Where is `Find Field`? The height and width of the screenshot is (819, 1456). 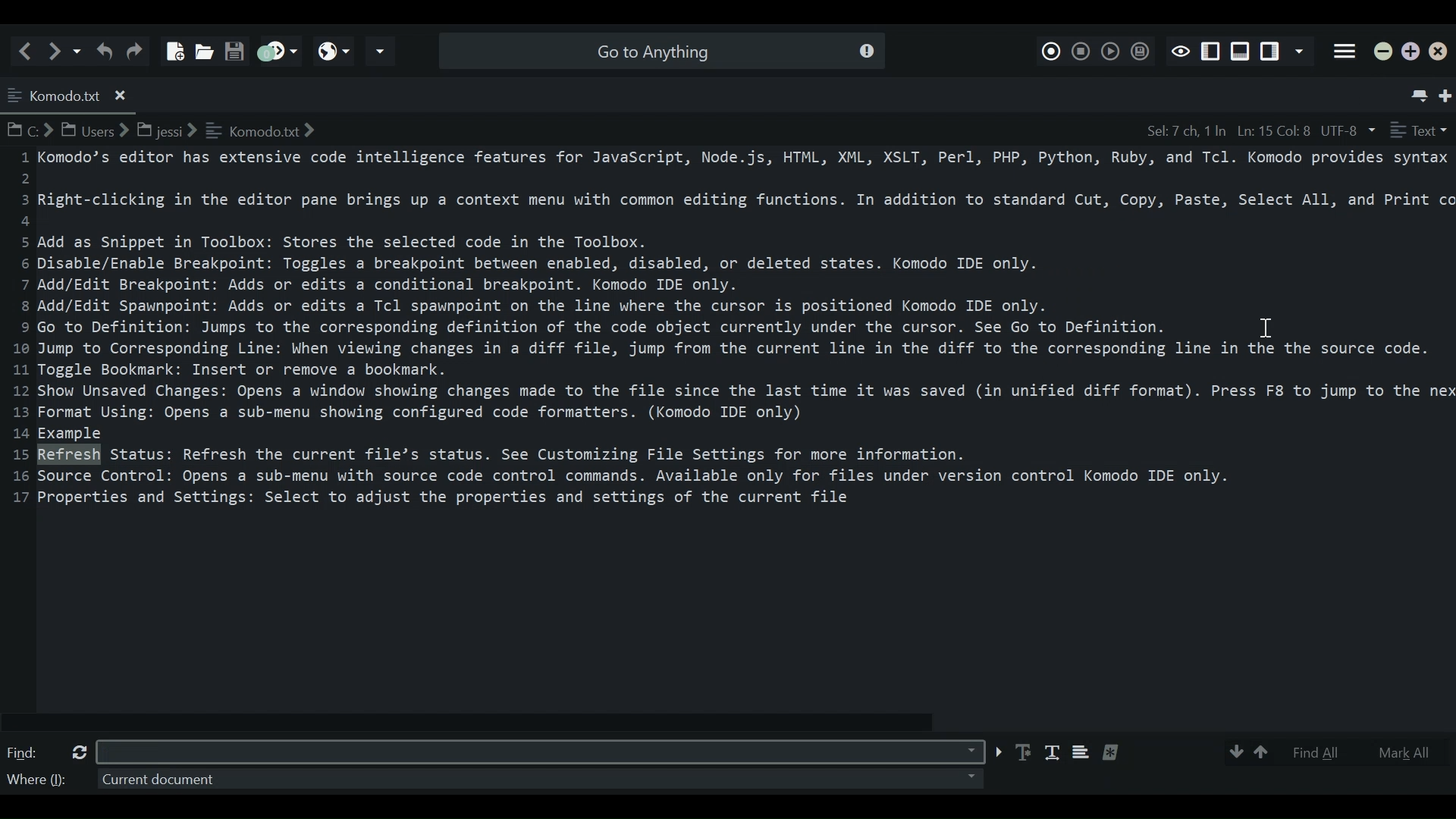 Find Field is located at coordinates (539, 751).